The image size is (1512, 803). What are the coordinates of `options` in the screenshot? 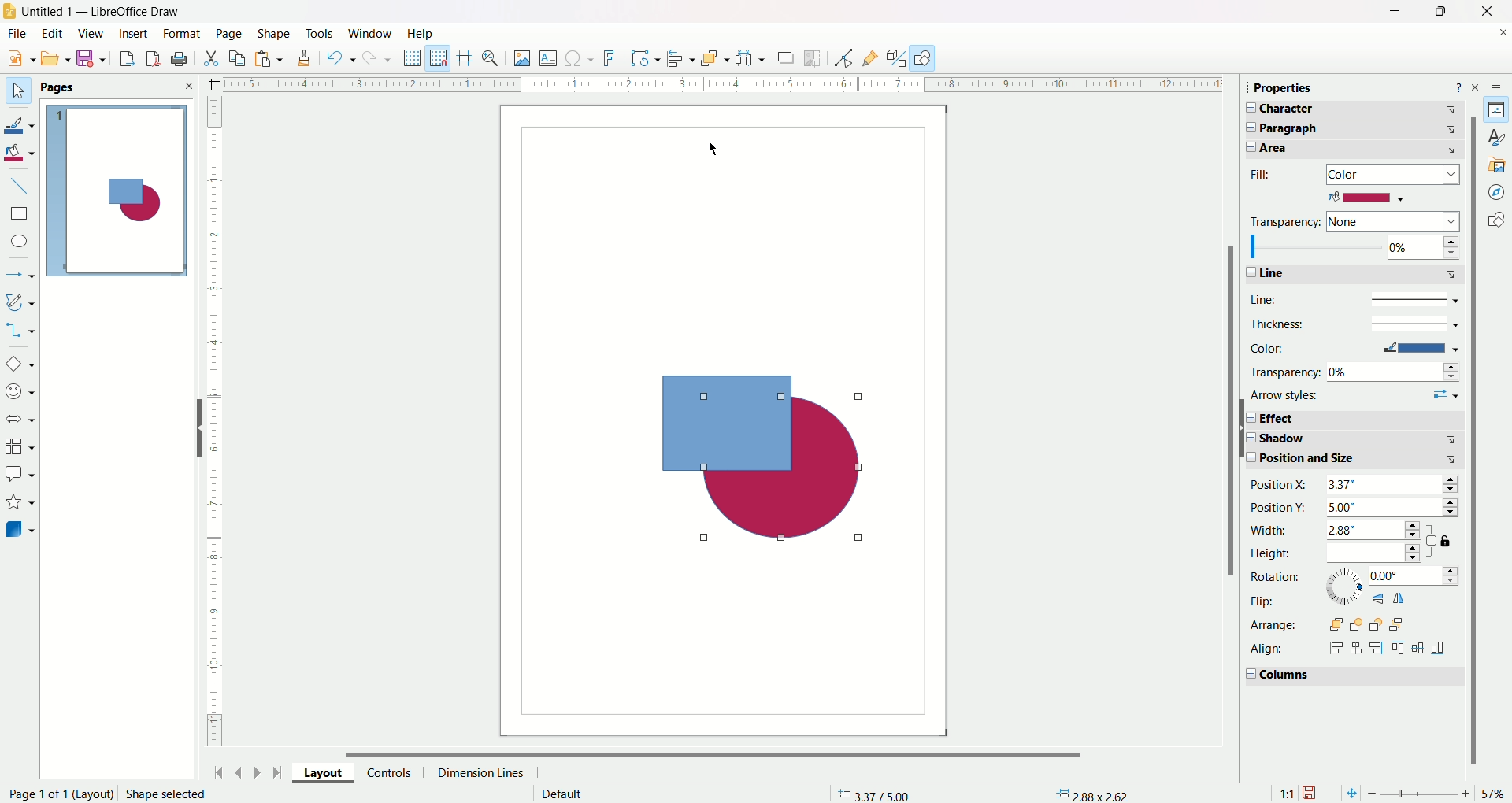 It's located at (1499, 83).